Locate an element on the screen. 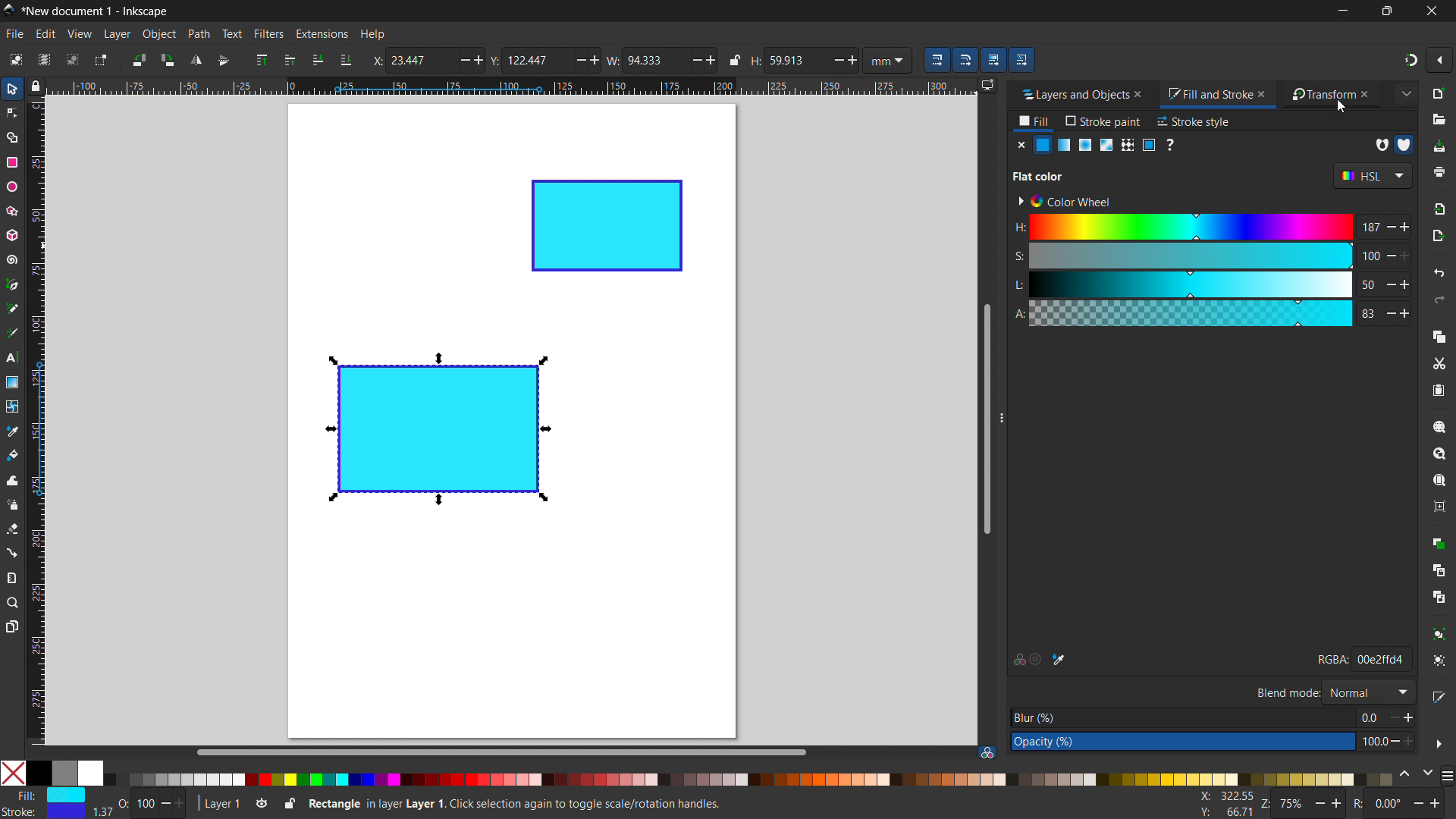 This screenshot has height=819, width=1456. *New document 1 - Inkscape is located at coordinates (96, 11).